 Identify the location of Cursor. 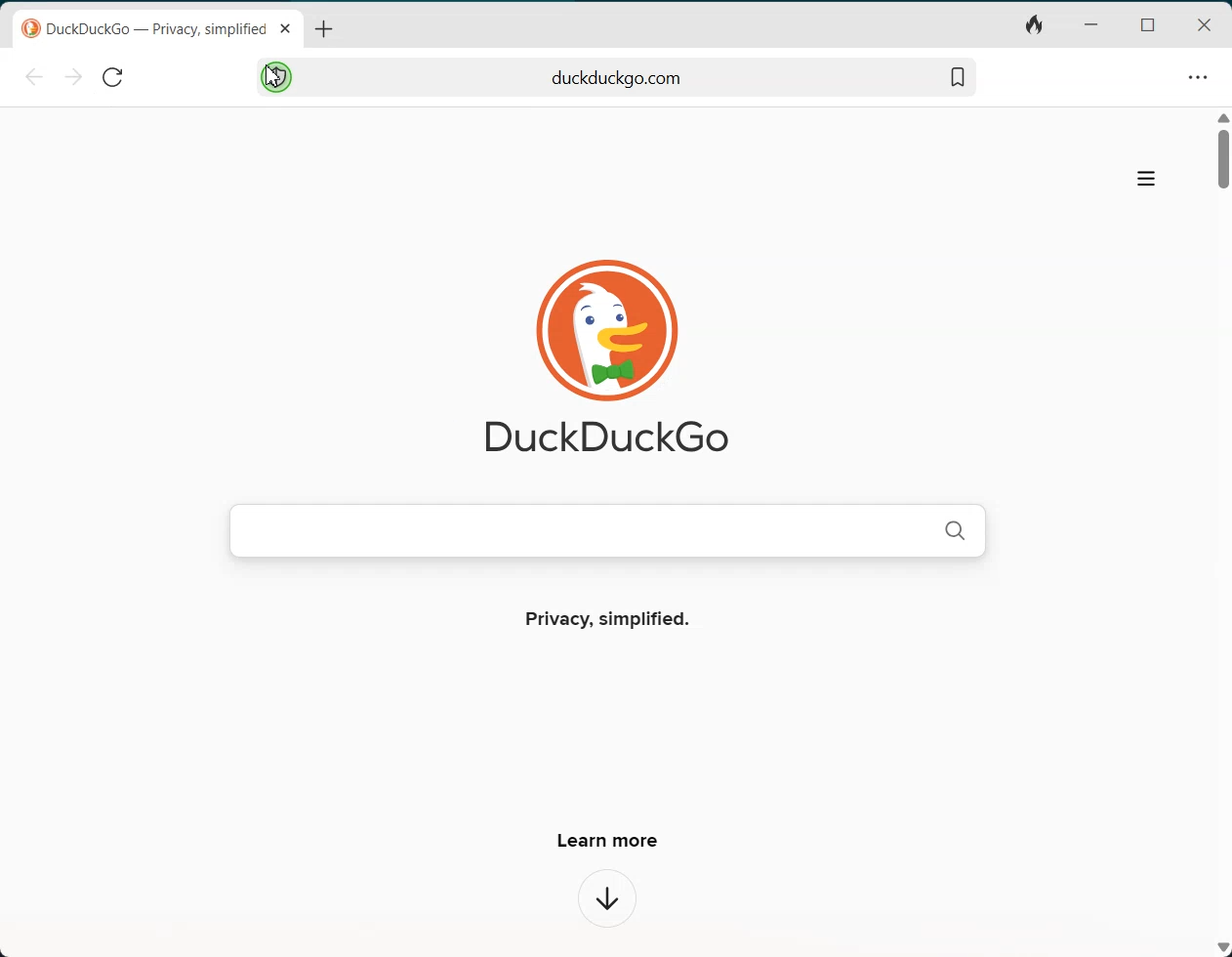
(272, 76).